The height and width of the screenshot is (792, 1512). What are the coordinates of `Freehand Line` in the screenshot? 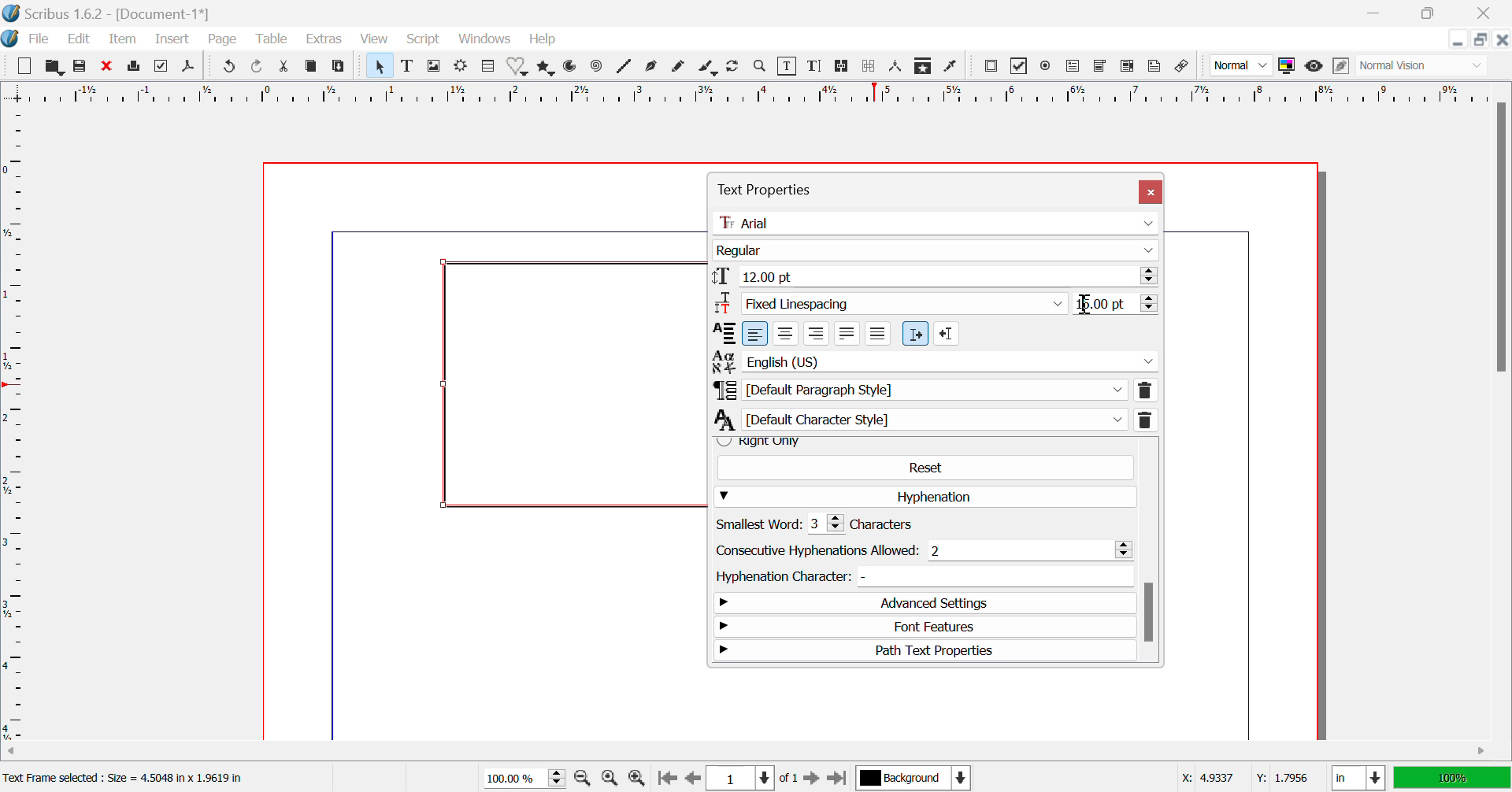 It's located at (679, 69).